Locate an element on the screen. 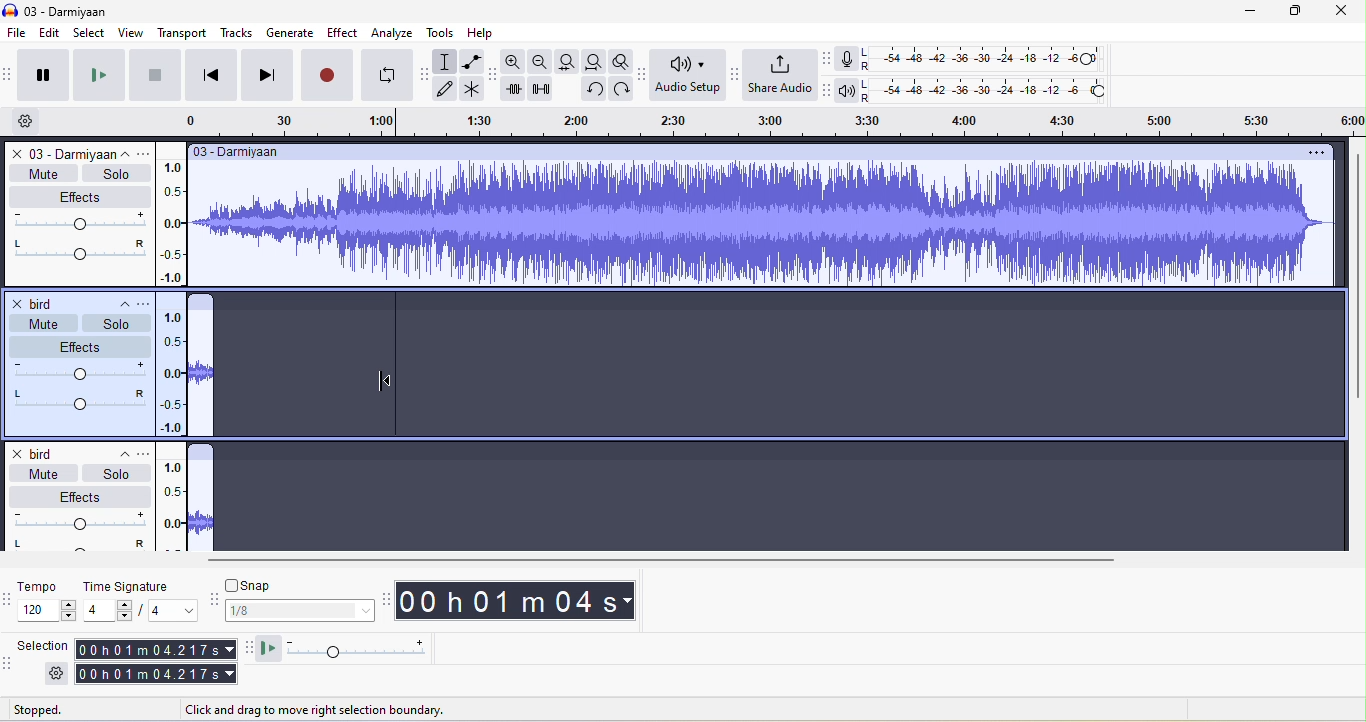 The width and height of the screenshot is (1366, 722). file selection to width is located at coordinates (570, 61).